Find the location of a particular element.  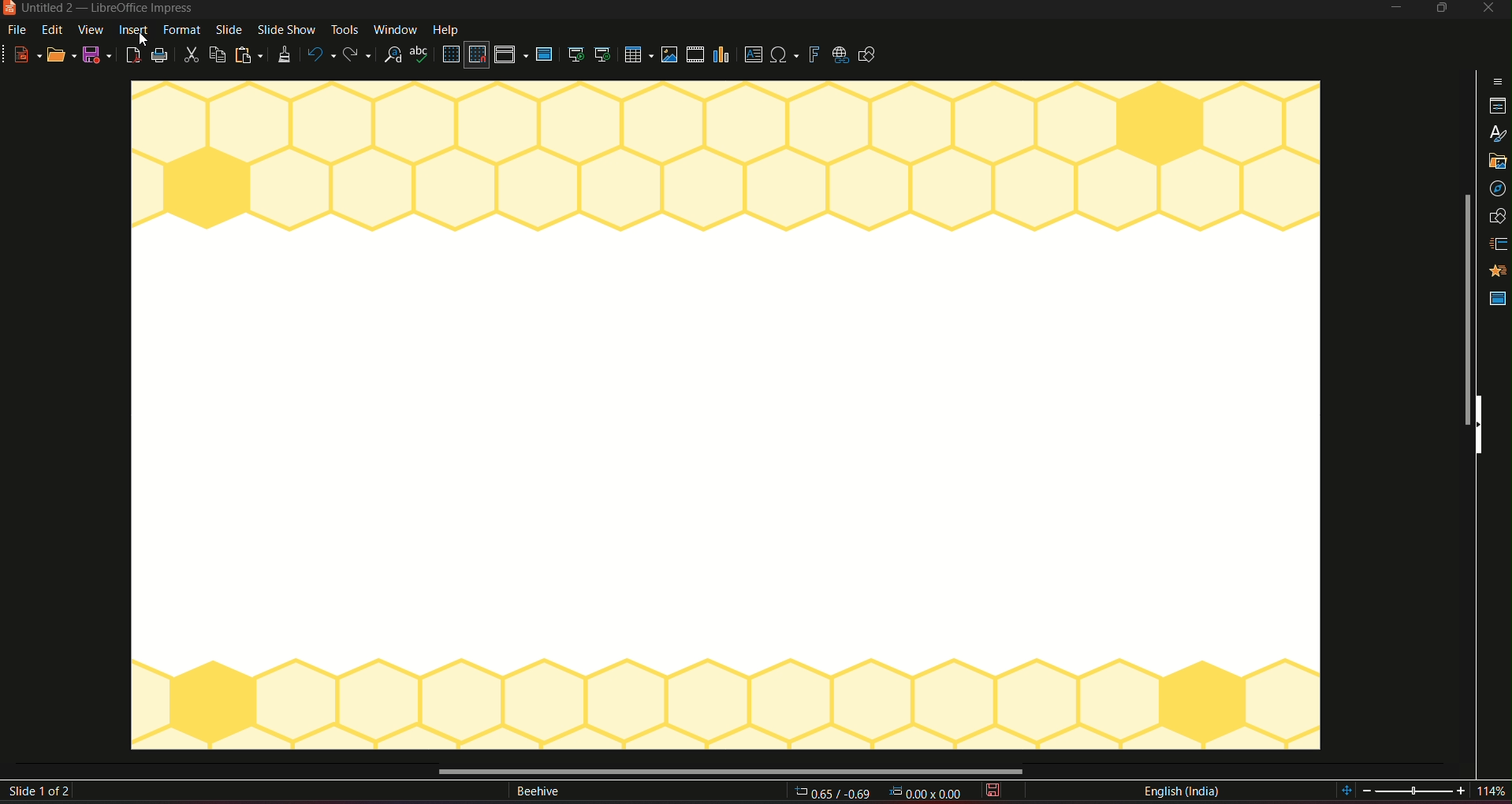

minimize is located at coordinates (1394, 9).